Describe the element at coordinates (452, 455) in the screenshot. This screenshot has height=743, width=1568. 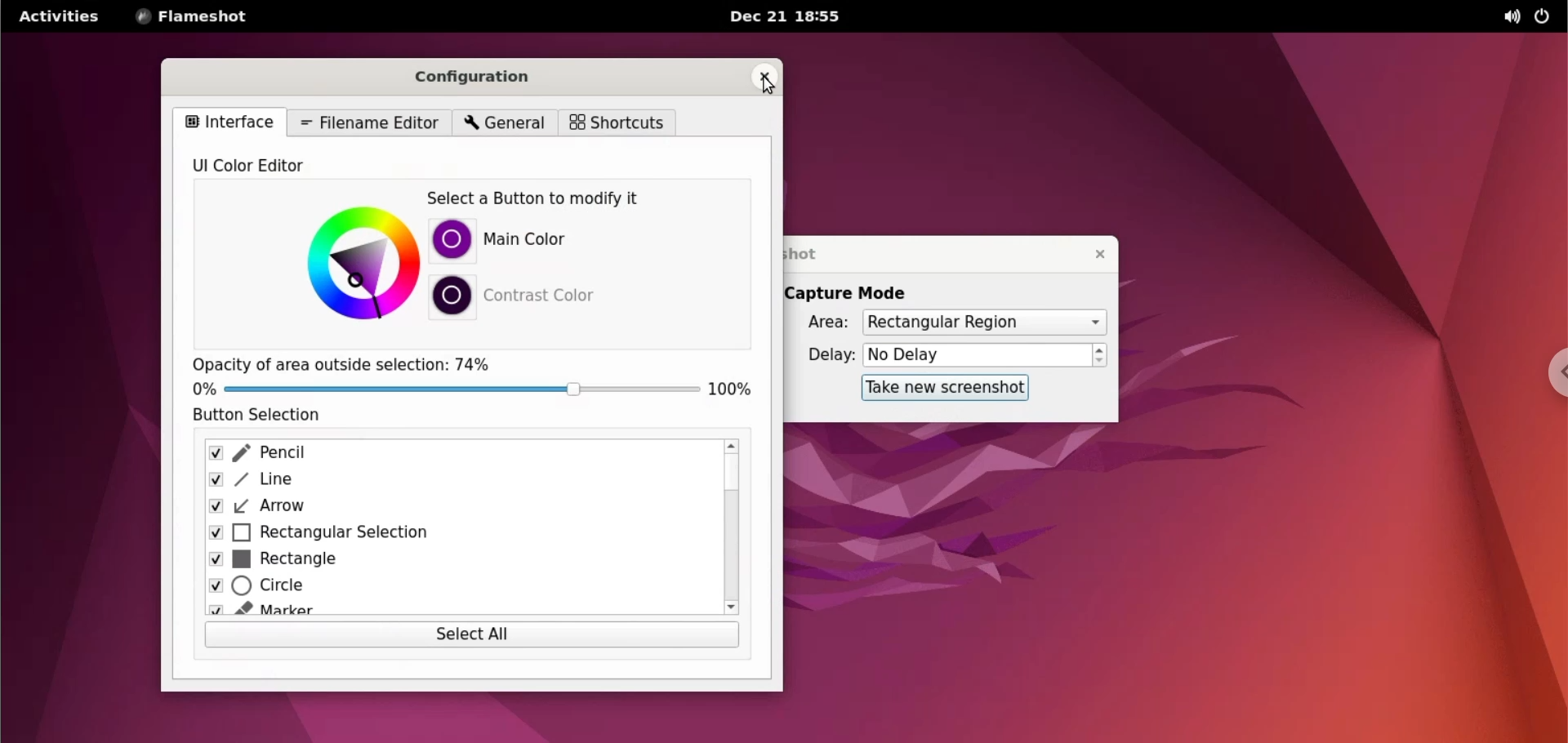
I see `pencil` at that location.